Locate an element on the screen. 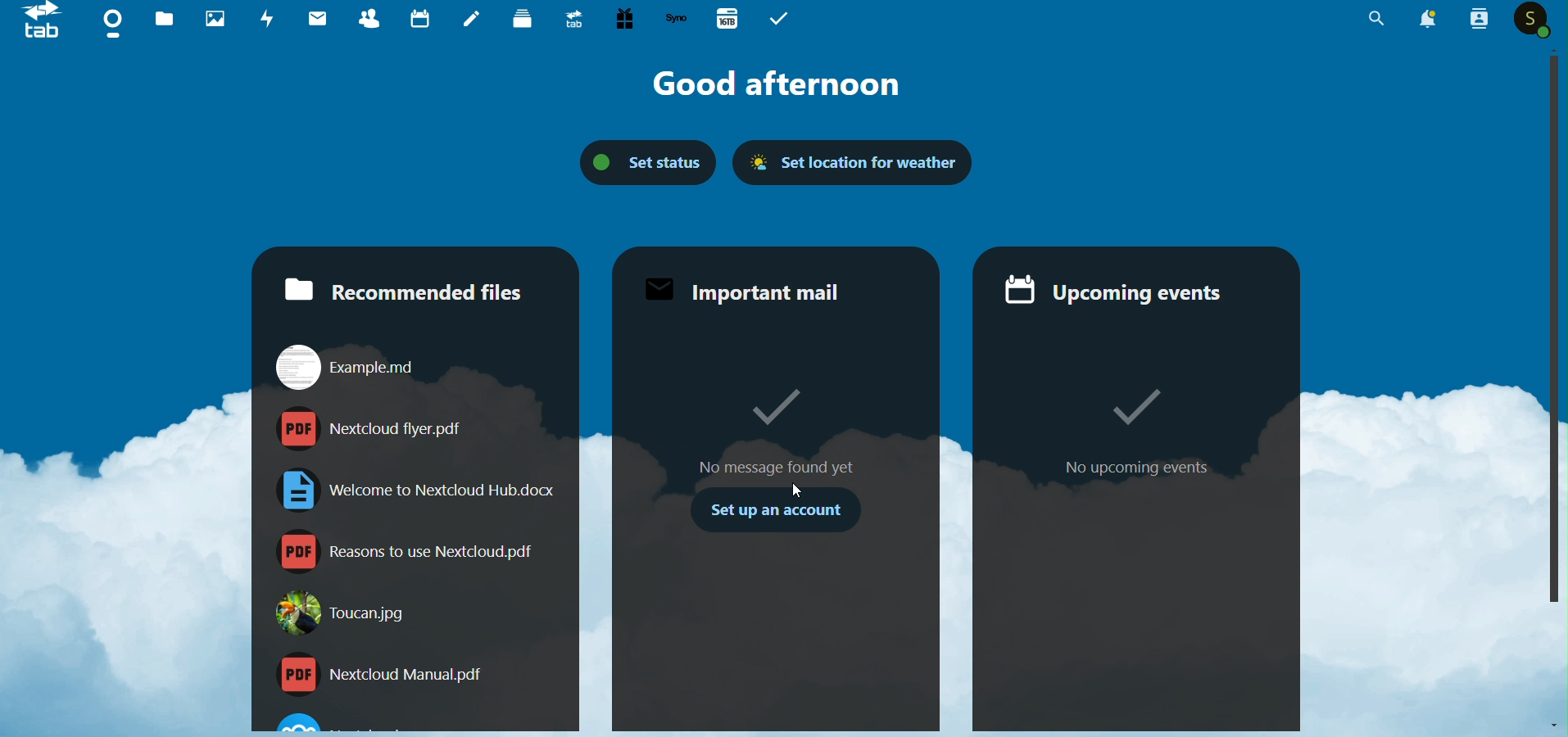 Image resolution: width=1568 pixels, height=737 pixels. Notes is located at coordinates (467, 20).